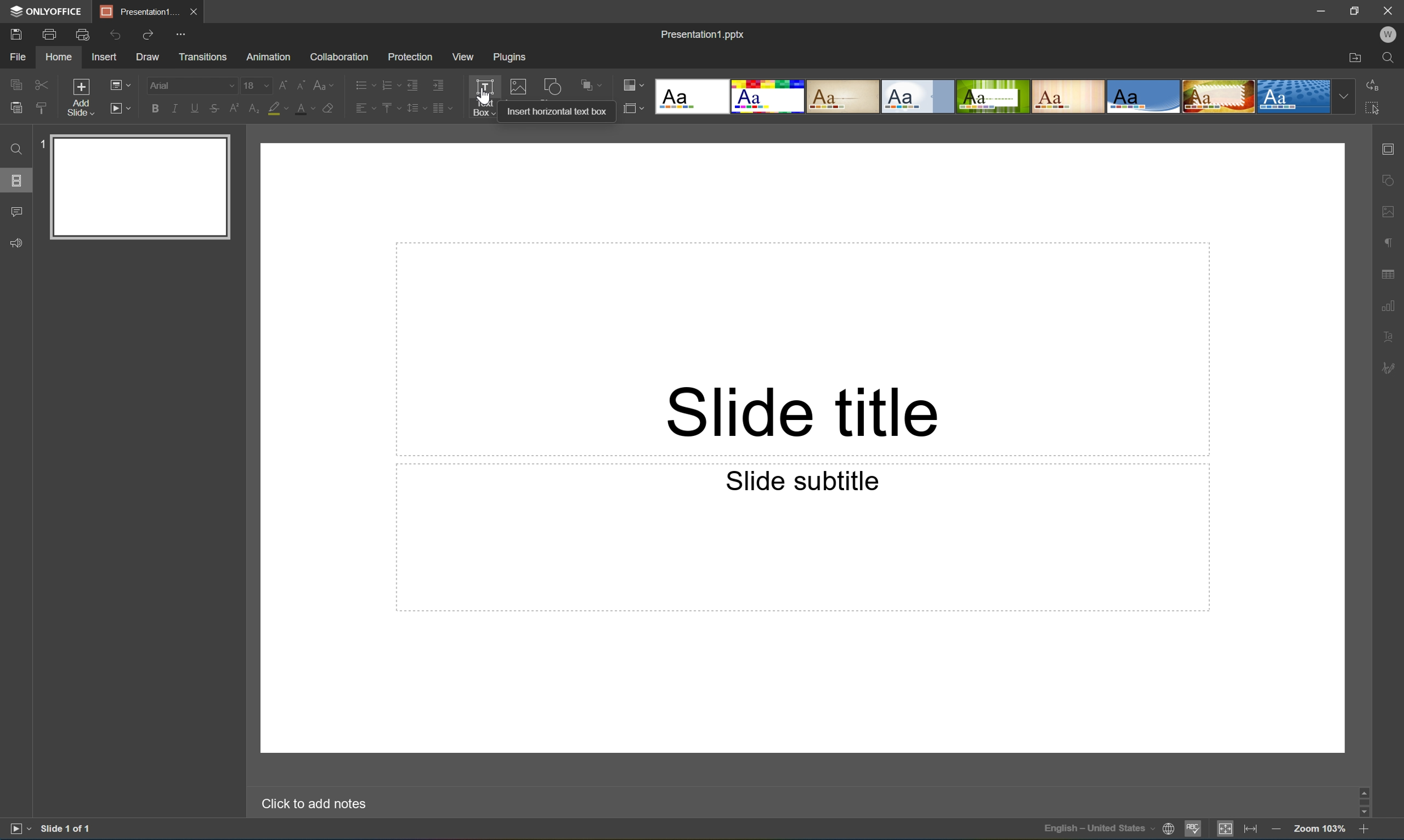 The width and height of the screenshot is (1404, 840). Describe the element at coordinates (1372, 83) in the screenshot. I see `Replace` at that location.